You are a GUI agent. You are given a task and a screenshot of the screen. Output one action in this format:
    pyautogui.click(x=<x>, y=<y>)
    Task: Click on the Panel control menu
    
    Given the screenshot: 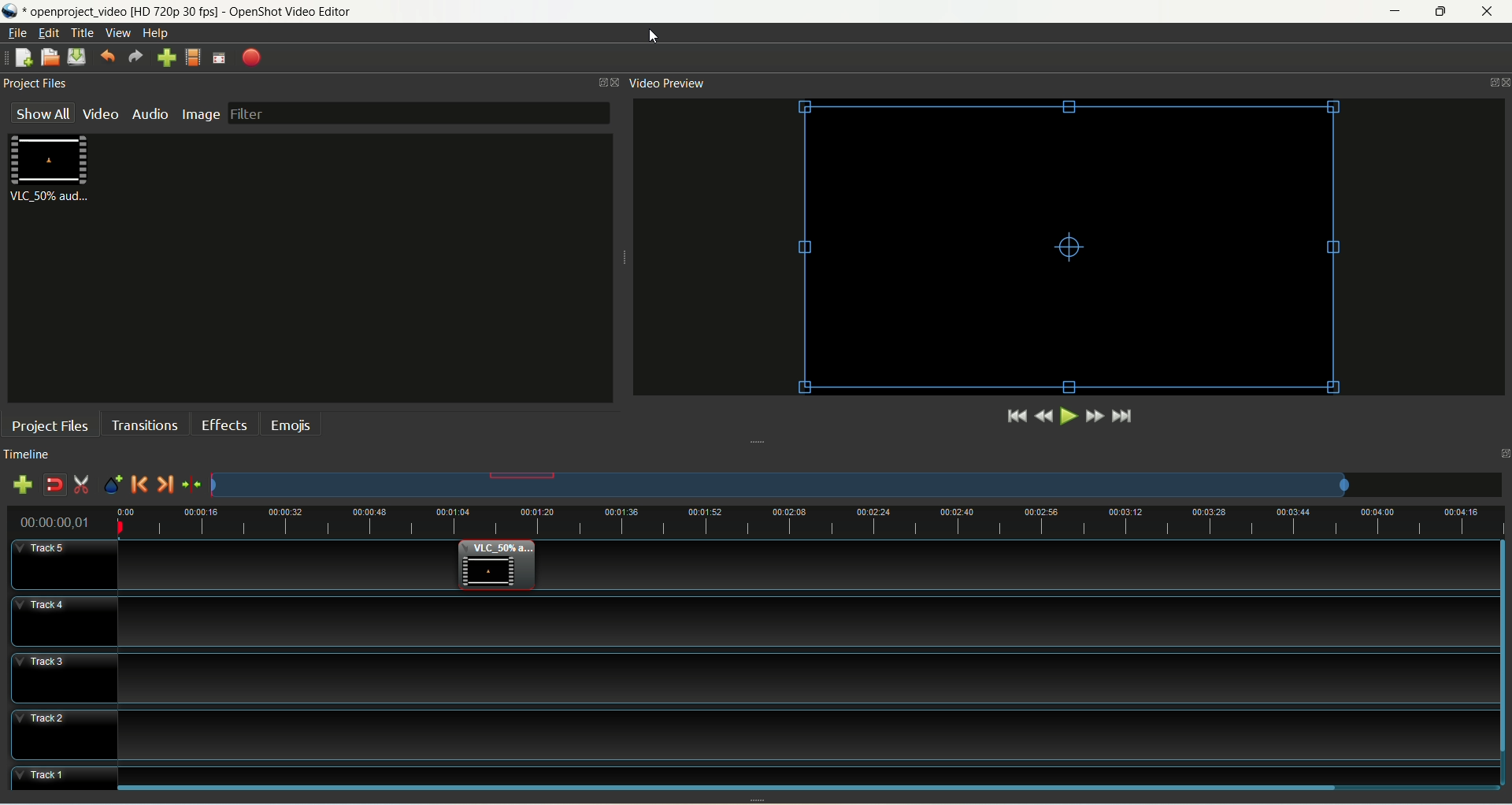 What is the action you would take?
    pyautogui.click(x=610, y=83)
    